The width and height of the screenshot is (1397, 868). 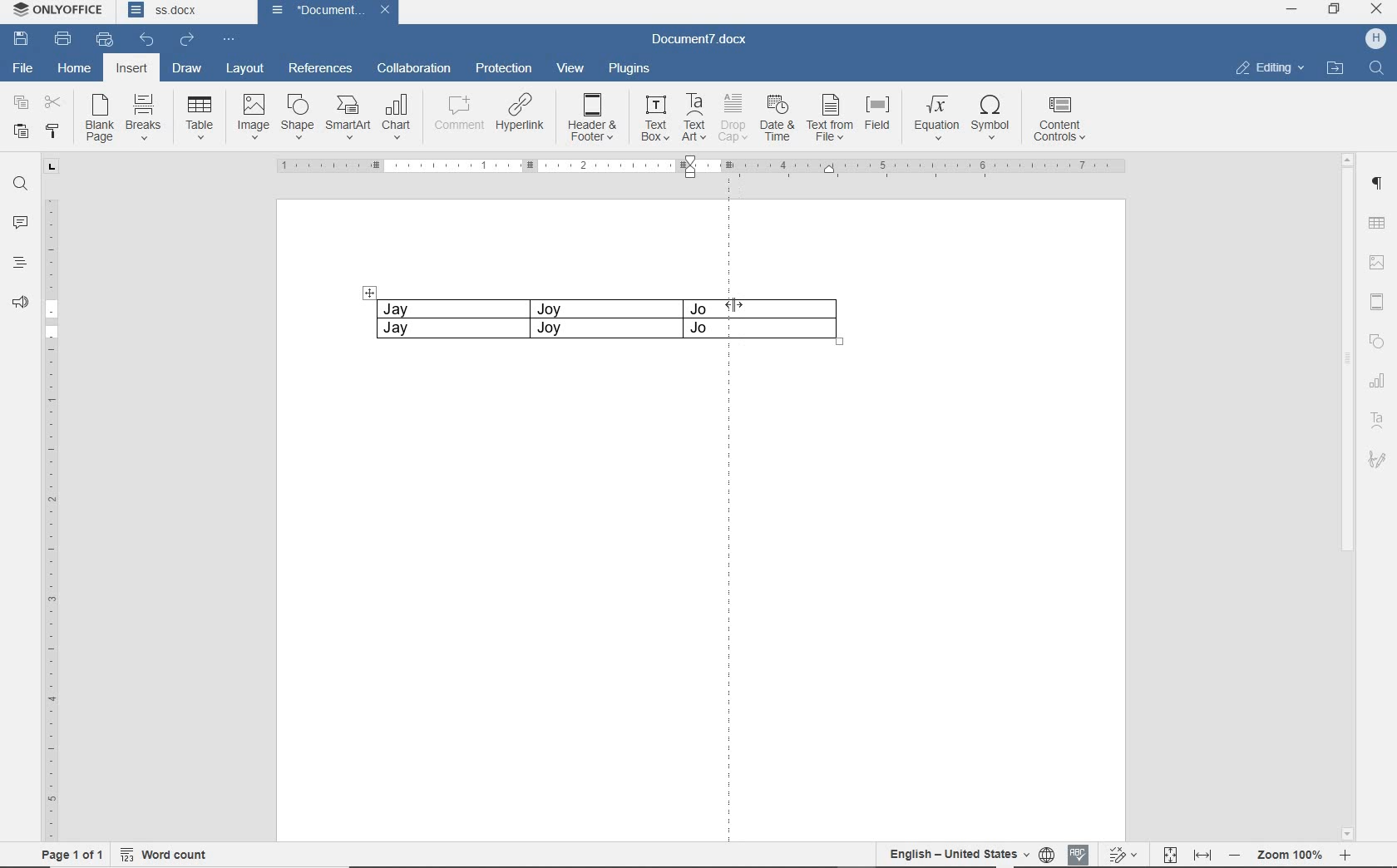 What do you see at coordinates (1376, 11) in the screenshot?
I see `CLOSE` at bounding box center [1376, 11].